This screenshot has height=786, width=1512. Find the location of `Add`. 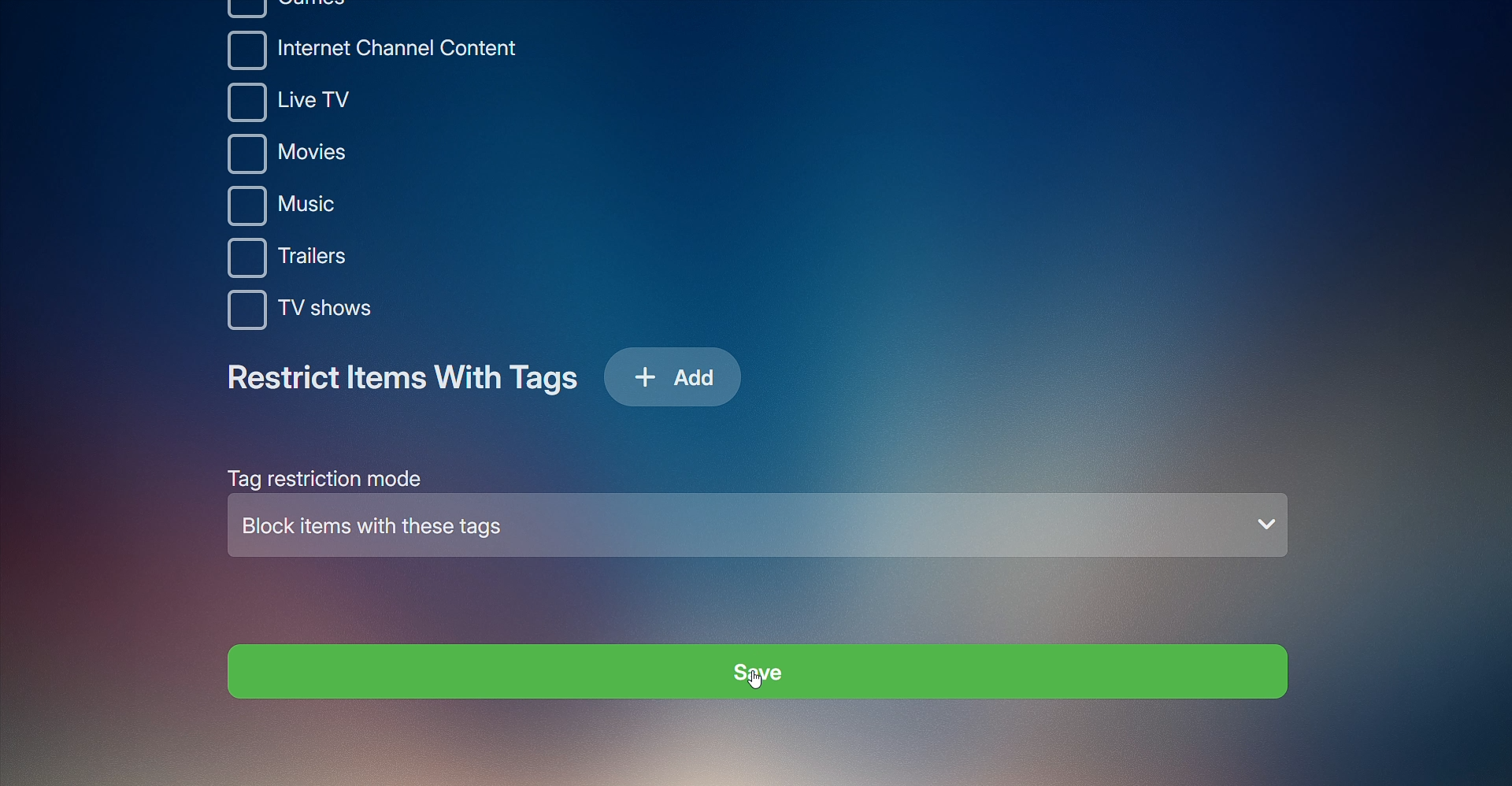

Add is located at coordinates (682, 373).